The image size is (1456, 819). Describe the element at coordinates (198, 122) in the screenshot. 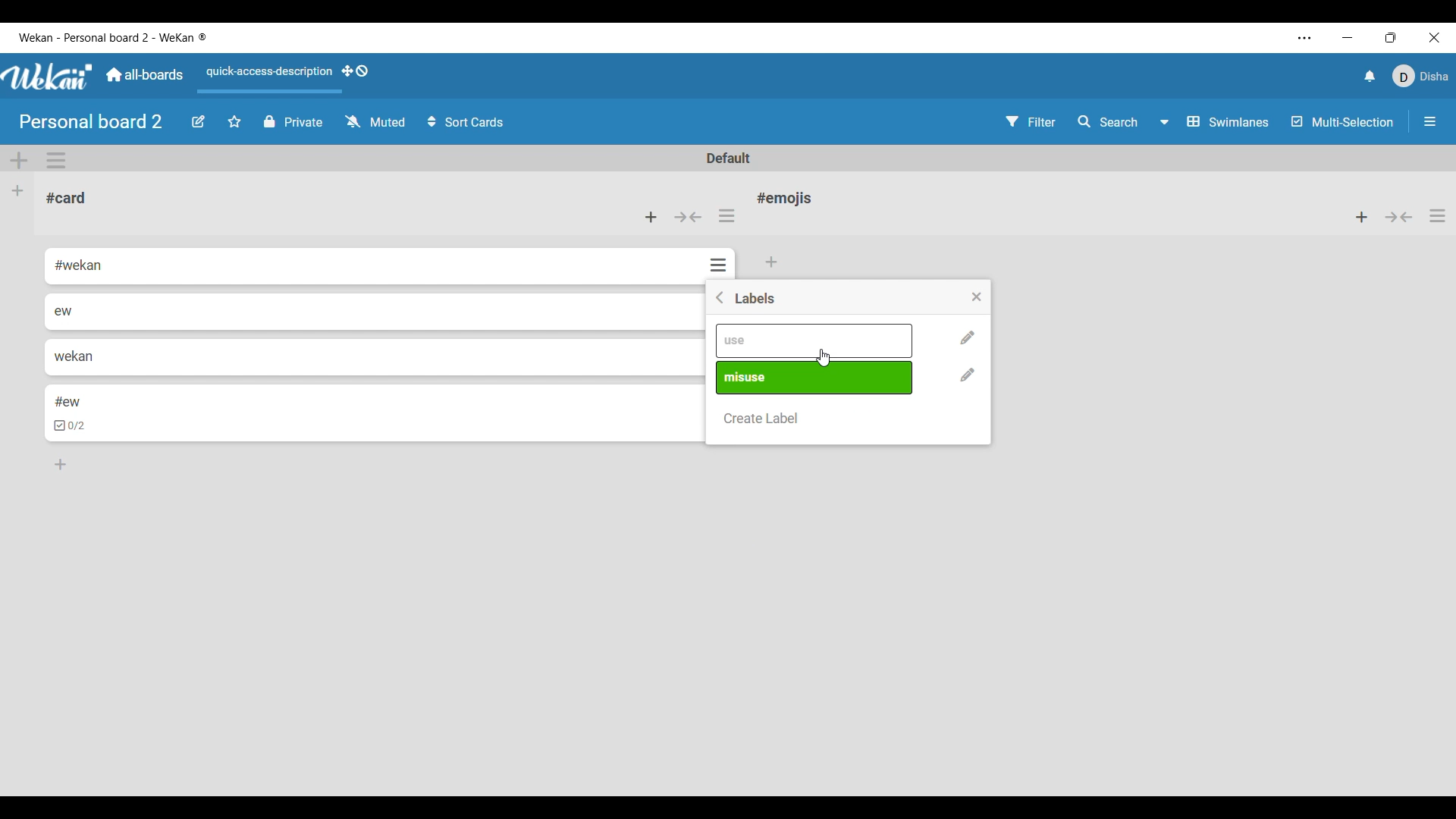

I see `Edit` at that location.